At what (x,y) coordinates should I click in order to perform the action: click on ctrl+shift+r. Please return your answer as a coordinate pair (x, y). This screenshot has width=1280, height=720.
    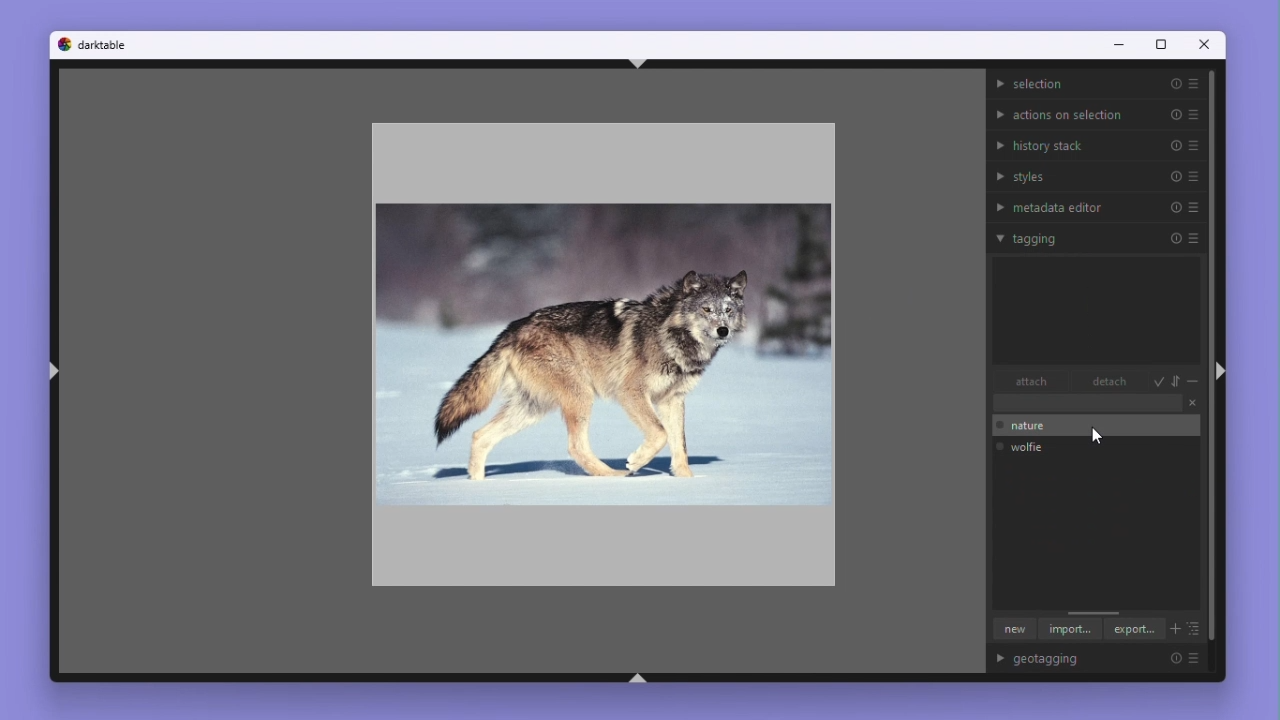
    Looking at the image, I should click on (1219, 370).